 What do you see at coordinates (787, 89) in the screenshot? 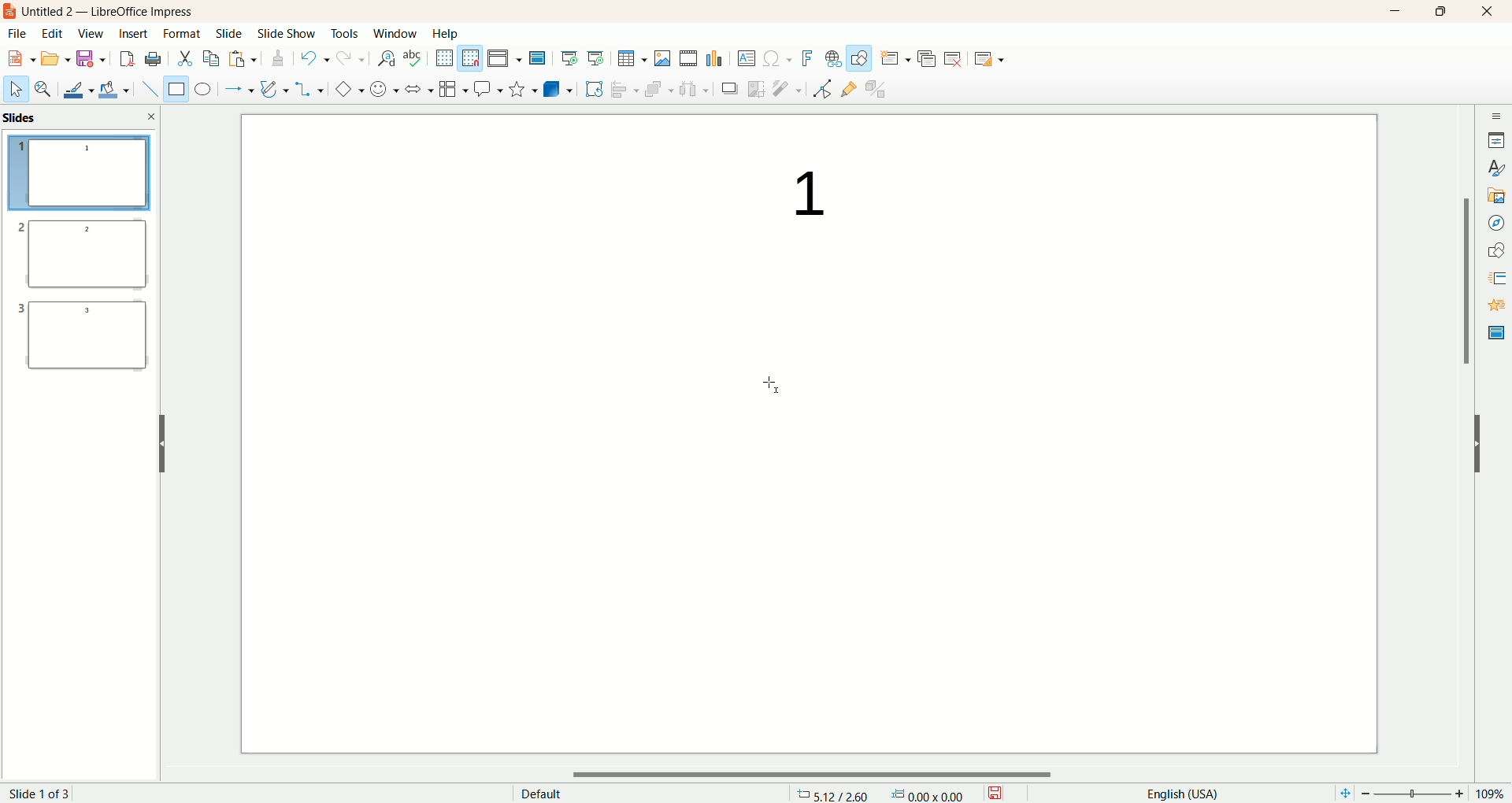
I see `filter` at bounding box center [787, 89].